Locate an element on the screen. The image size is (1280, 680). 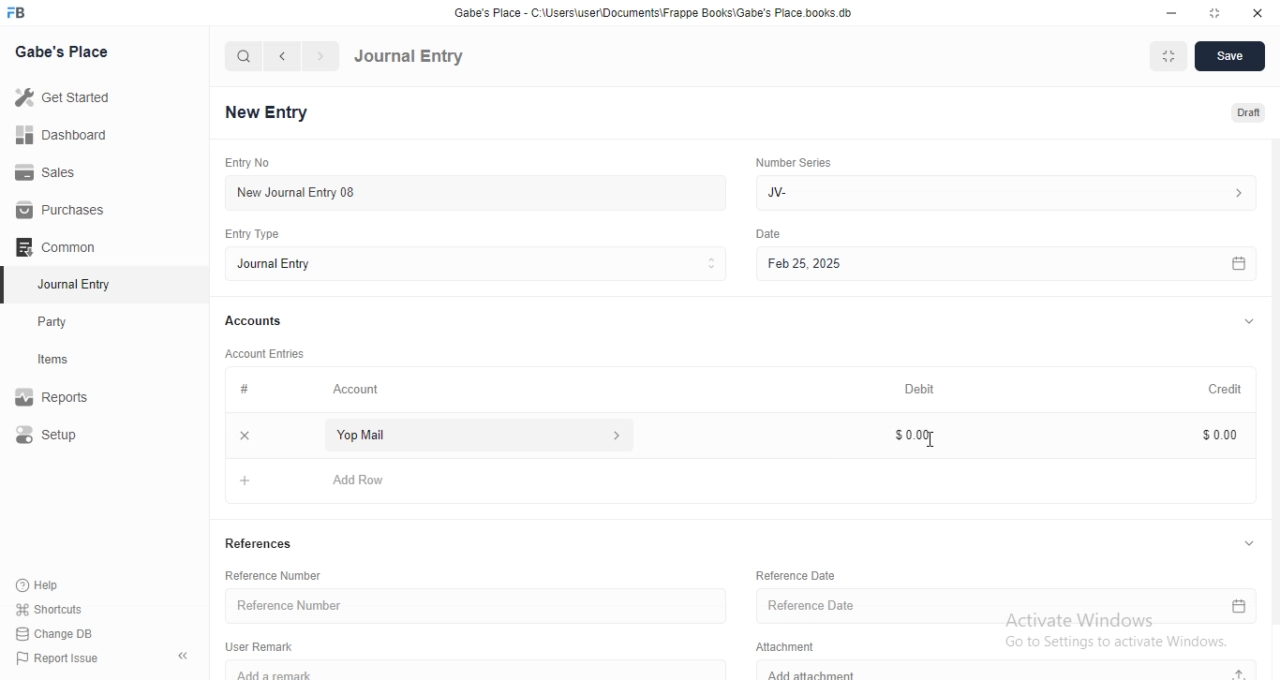
navigate forward is located at coordinates (321, 56).